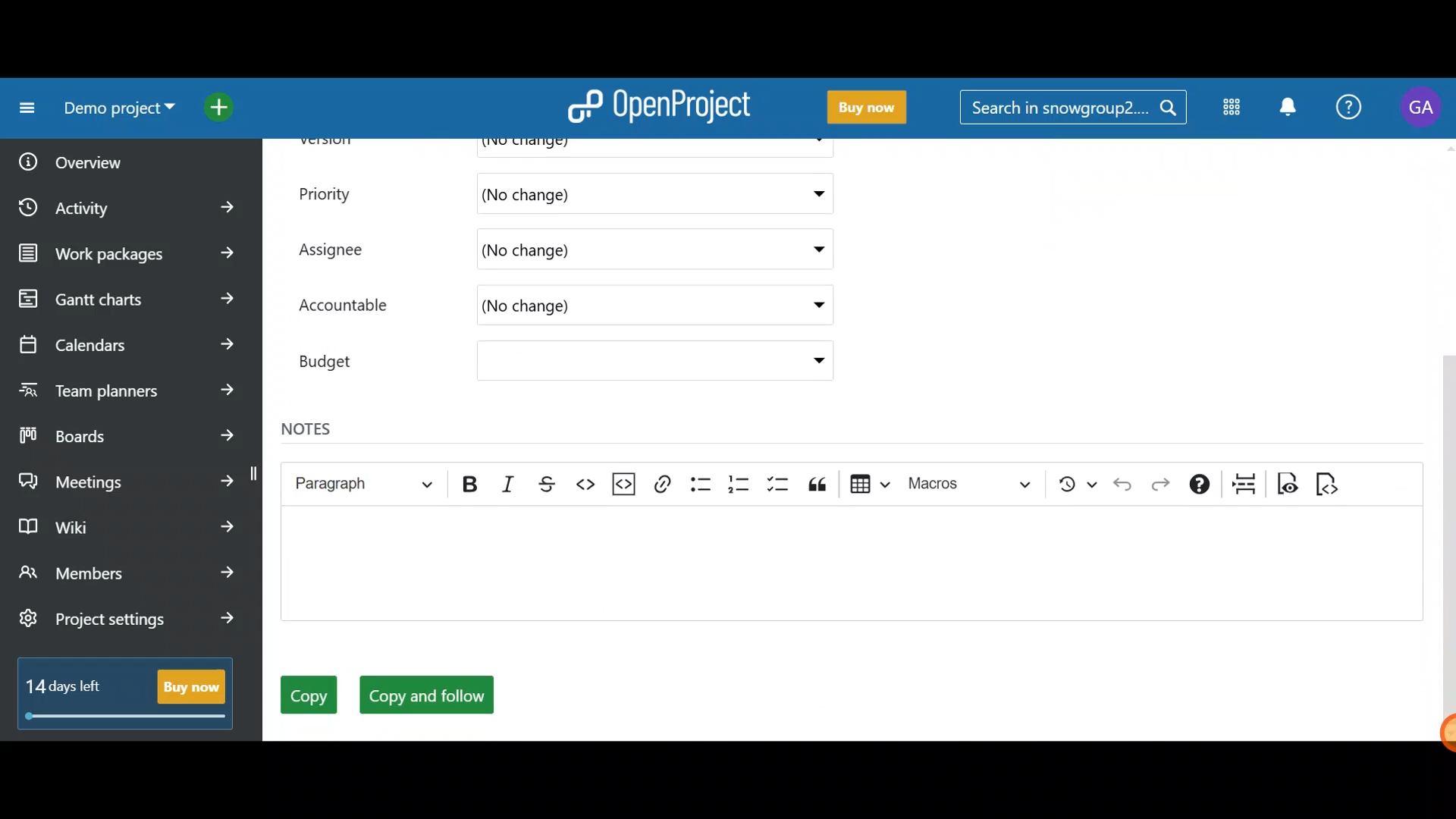 Image resolution: width=1456 pixels, height=819 pixels. What do you see at coordinates (311, 692) in the screenshot?
I see `Copy` at bounding box center [311, 692].